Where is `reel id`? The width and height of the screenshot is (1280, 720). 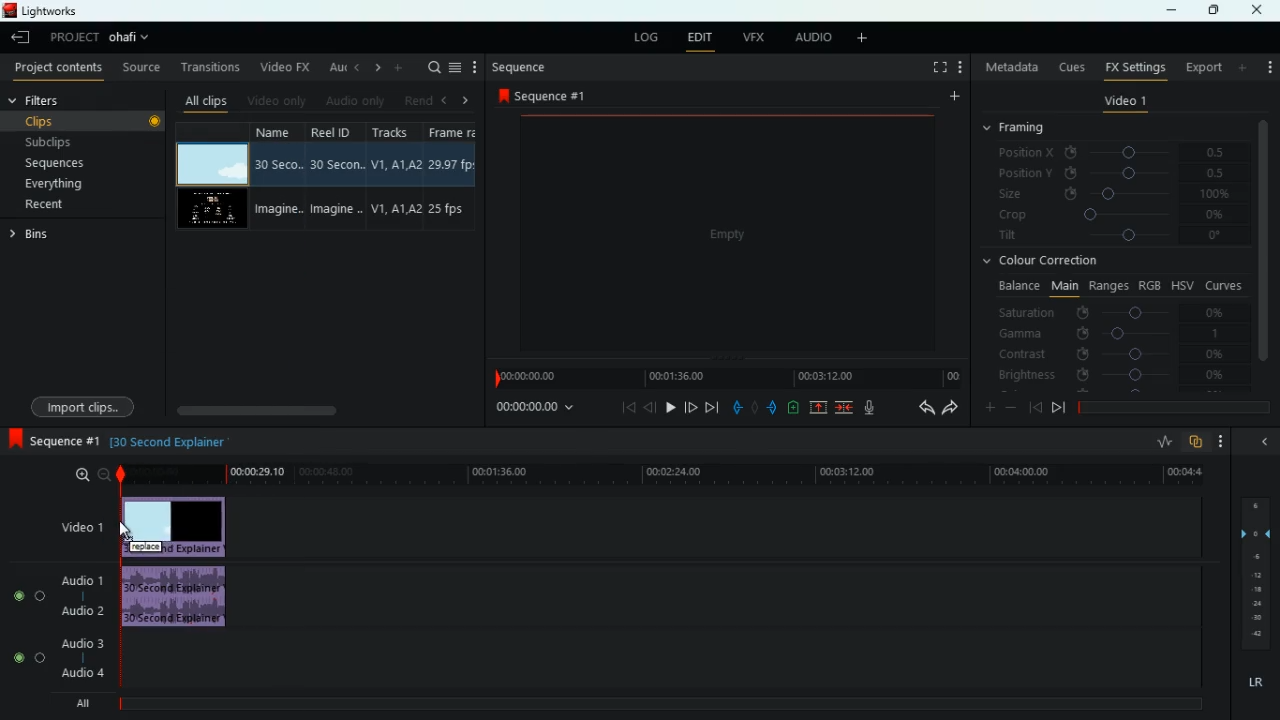
reel id is located at coordinates (329, 175).